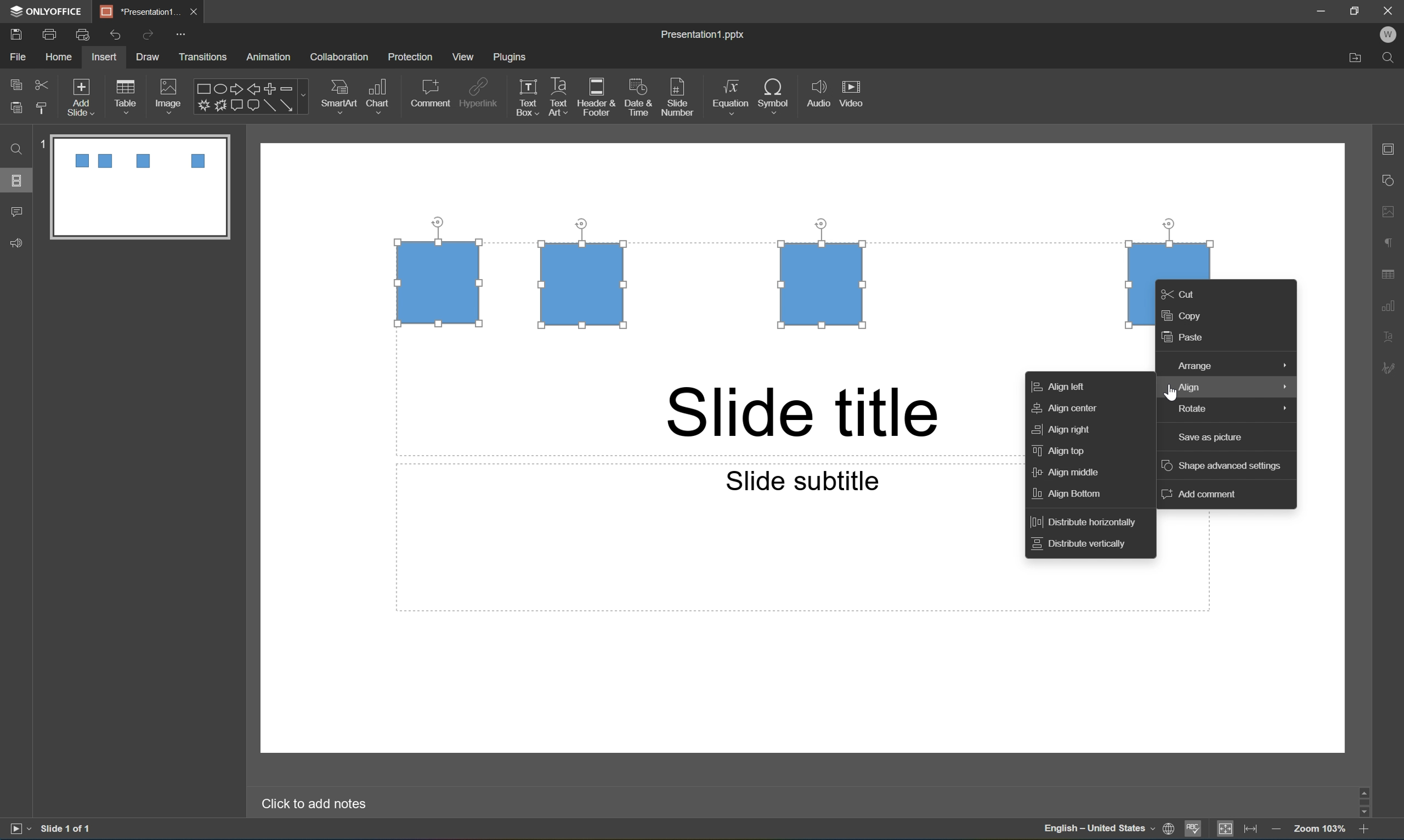 The image size is (1404, 840). What do you see at coordinates (1363, 832) in the screenshot?
I see `zoom in` at bounding box center [1363, 832].